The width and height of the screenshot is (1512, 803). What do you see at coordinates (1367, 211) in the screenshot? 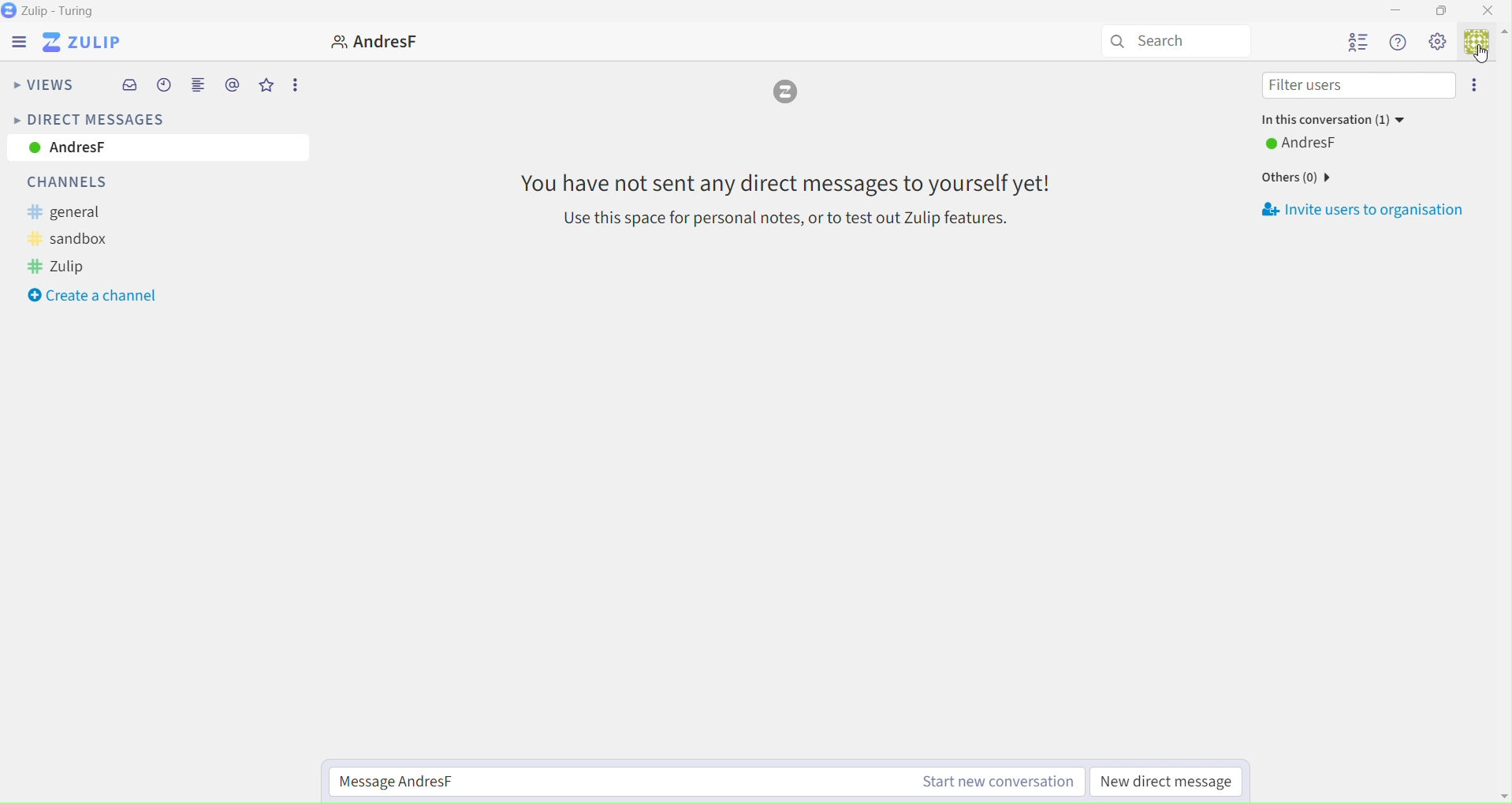
I see `Invite Users to Organization` at bounding box center [1367, 211].